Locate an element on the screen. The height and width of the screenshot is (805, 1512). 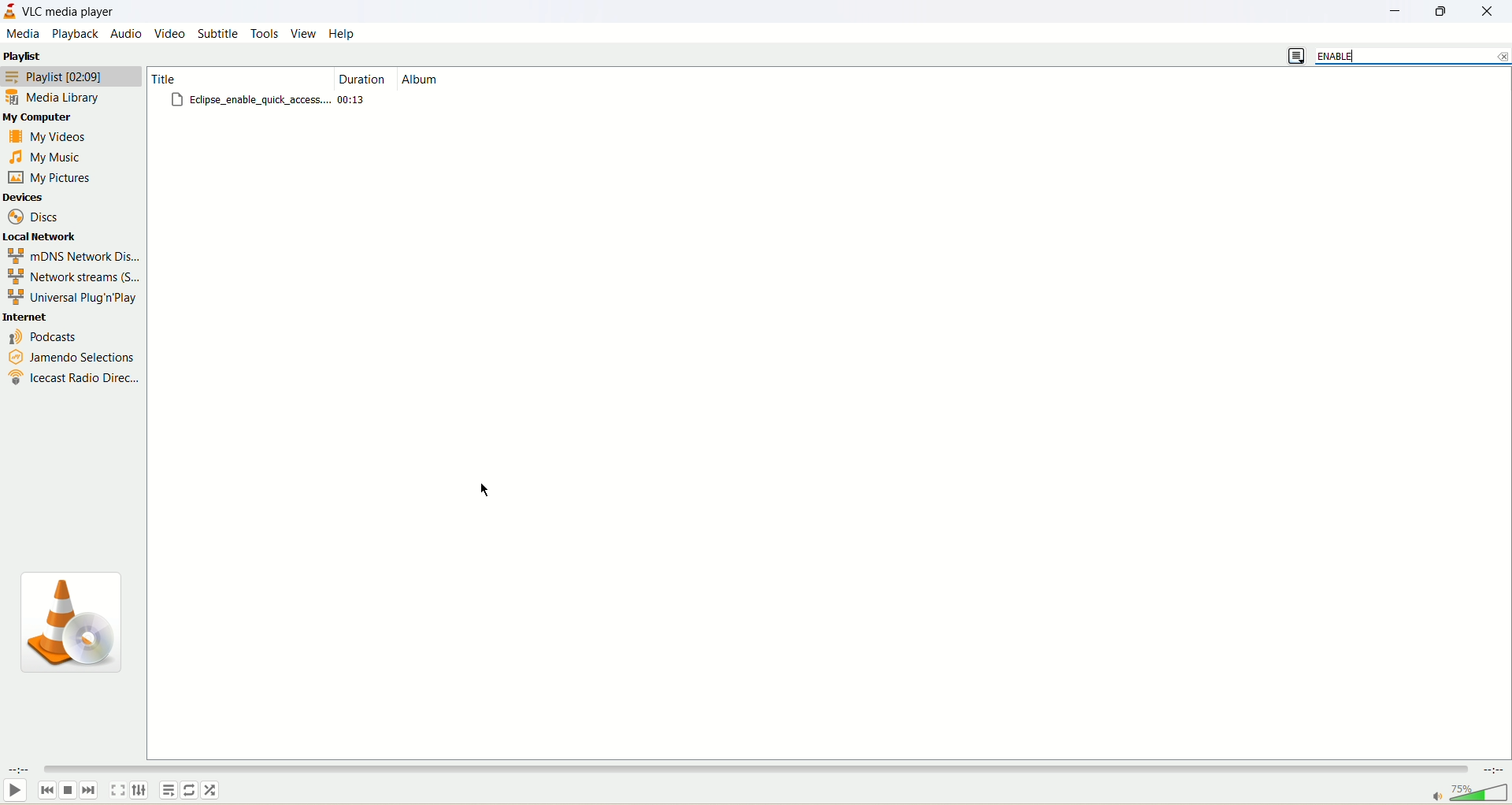
my music is located at coordinates (46, 156).